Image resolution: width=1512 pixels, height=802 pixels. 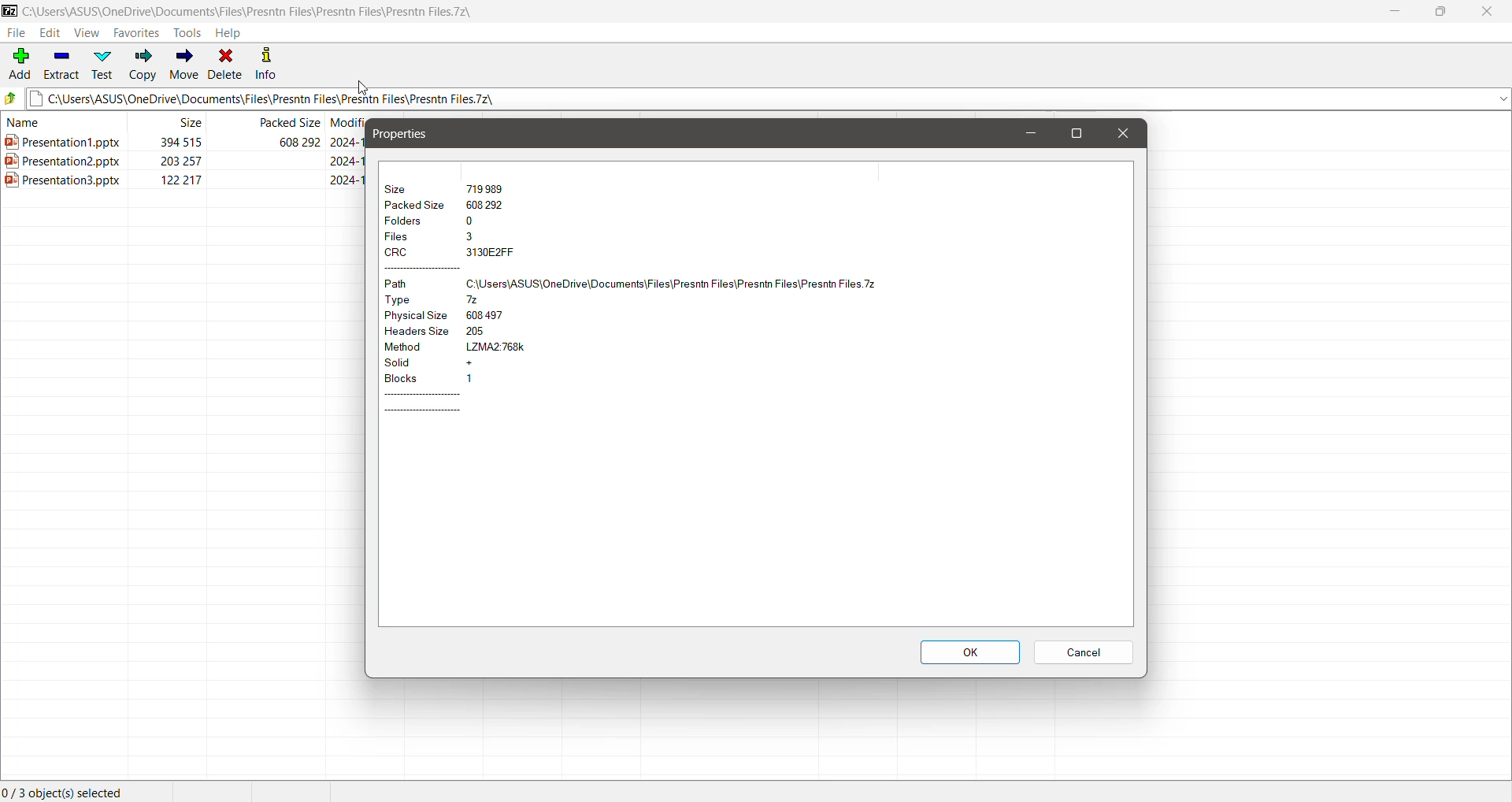 What do you see at coordinates (413, 381) in the screenshot?
I see `Blocks` at bounding box center [413, 381].